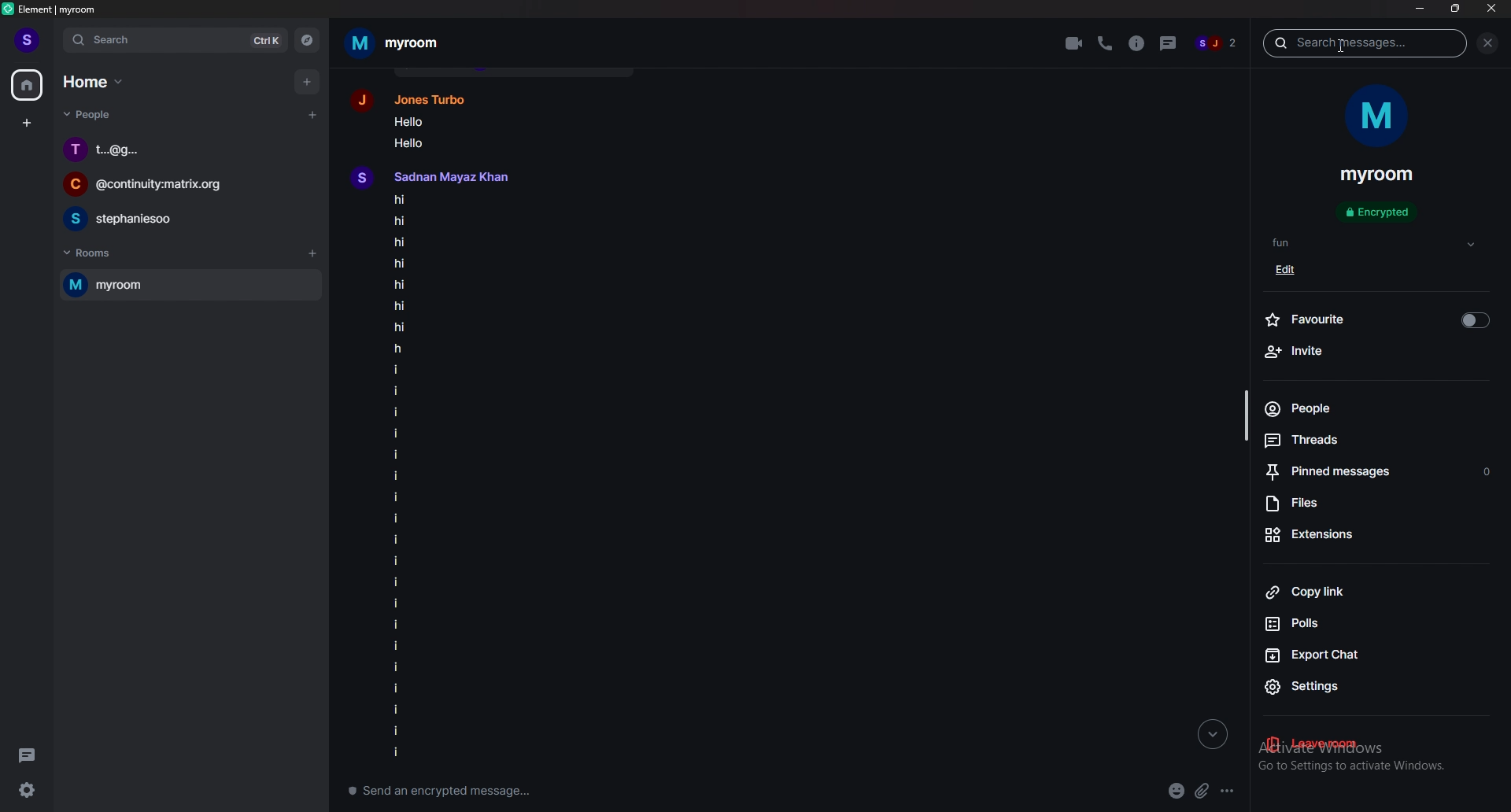 The image size is (1511, 812). What do you see at coordinates (62, 10) in the screenshot?
I see `element` at bounding box center [62, 10].